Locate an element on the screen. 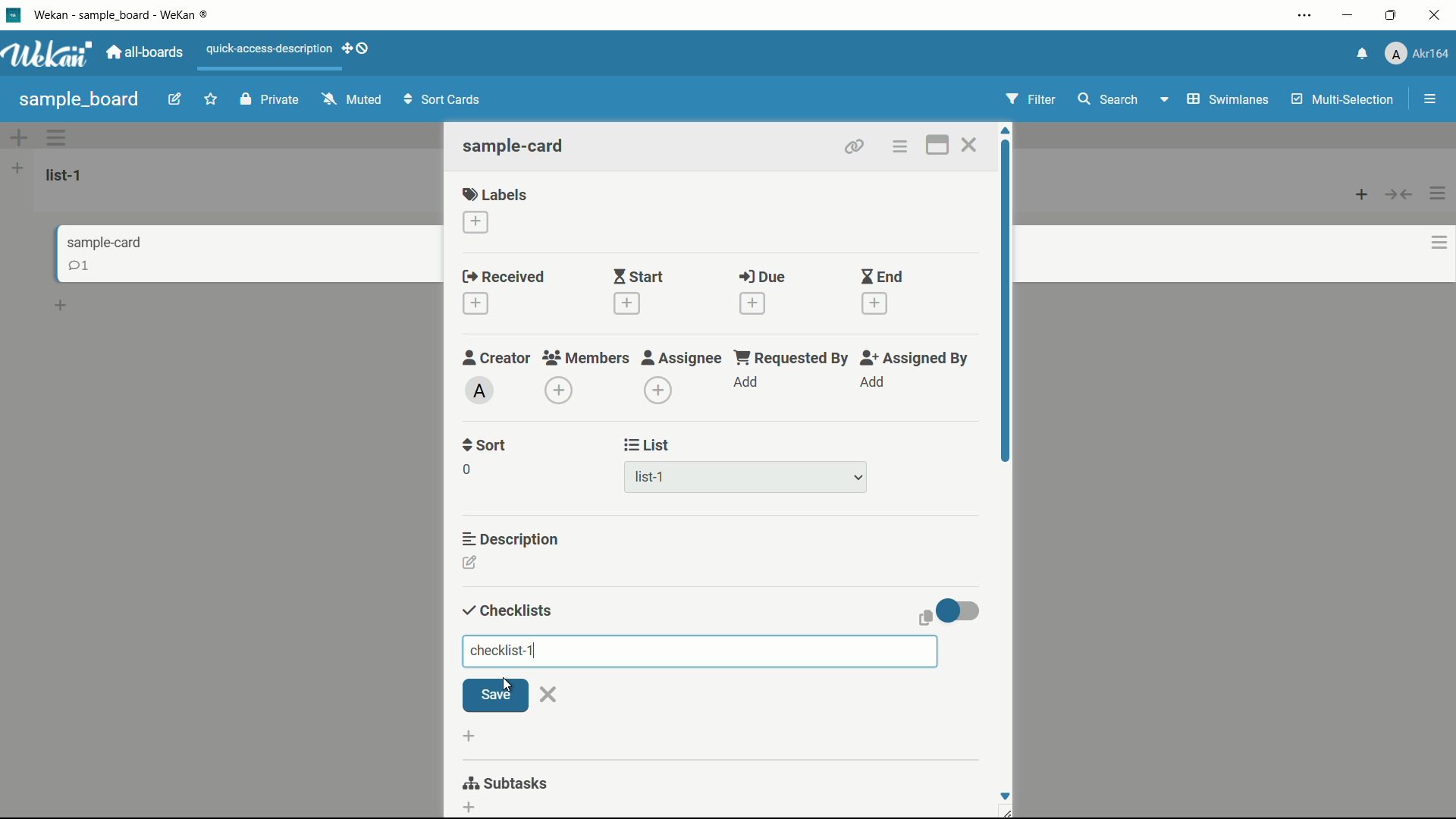 This screenshot has height=819, width=1456. 0 is located at coordinates (466, 469).